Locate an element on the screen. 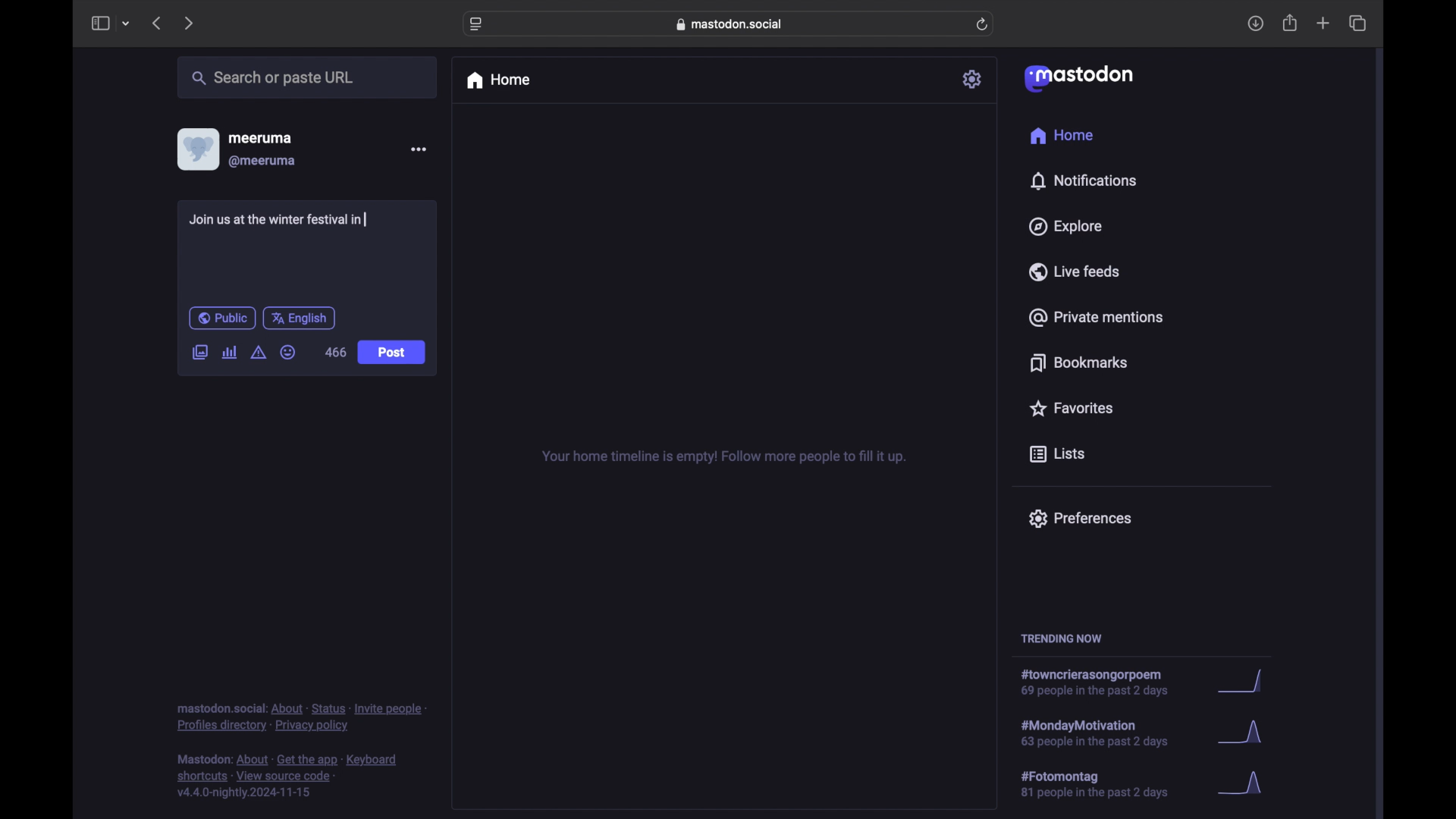  settings is located at coordinates (974, 79).